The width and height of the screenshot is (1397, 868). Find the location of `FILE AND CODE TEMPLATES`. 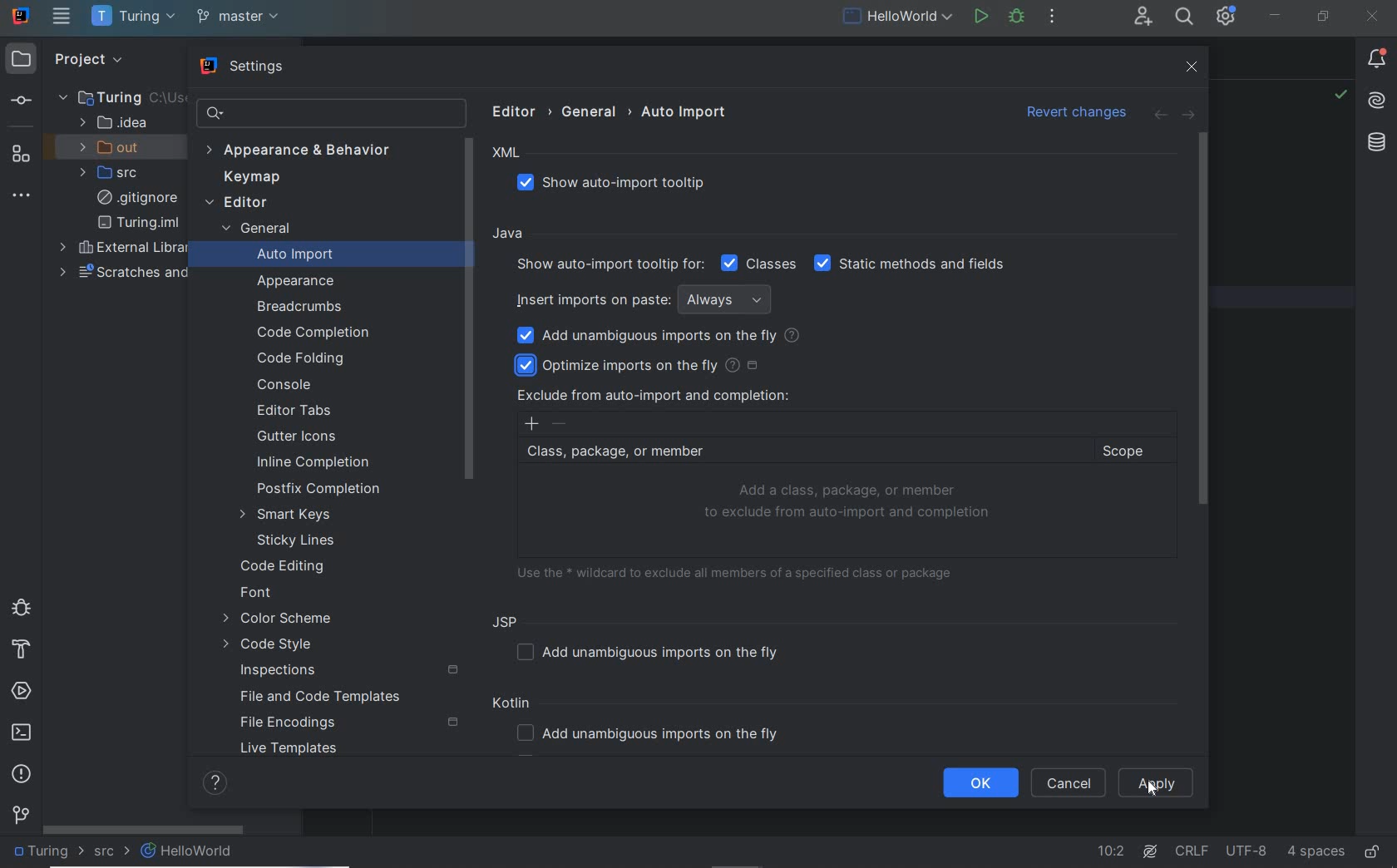

FILE AND CODE TEMPLATES is located at coordinates (315, 698).